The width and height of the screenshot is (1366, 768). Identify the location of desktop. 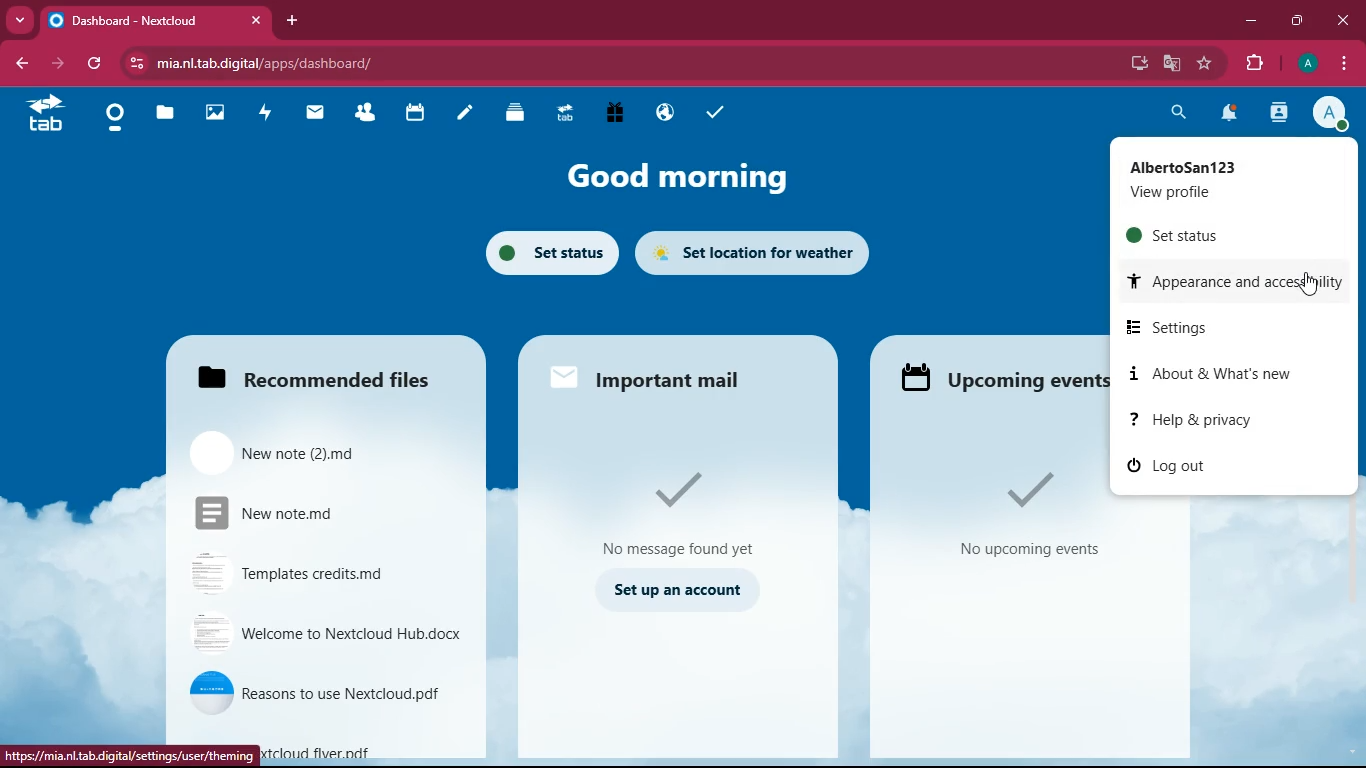
(1128, 61).